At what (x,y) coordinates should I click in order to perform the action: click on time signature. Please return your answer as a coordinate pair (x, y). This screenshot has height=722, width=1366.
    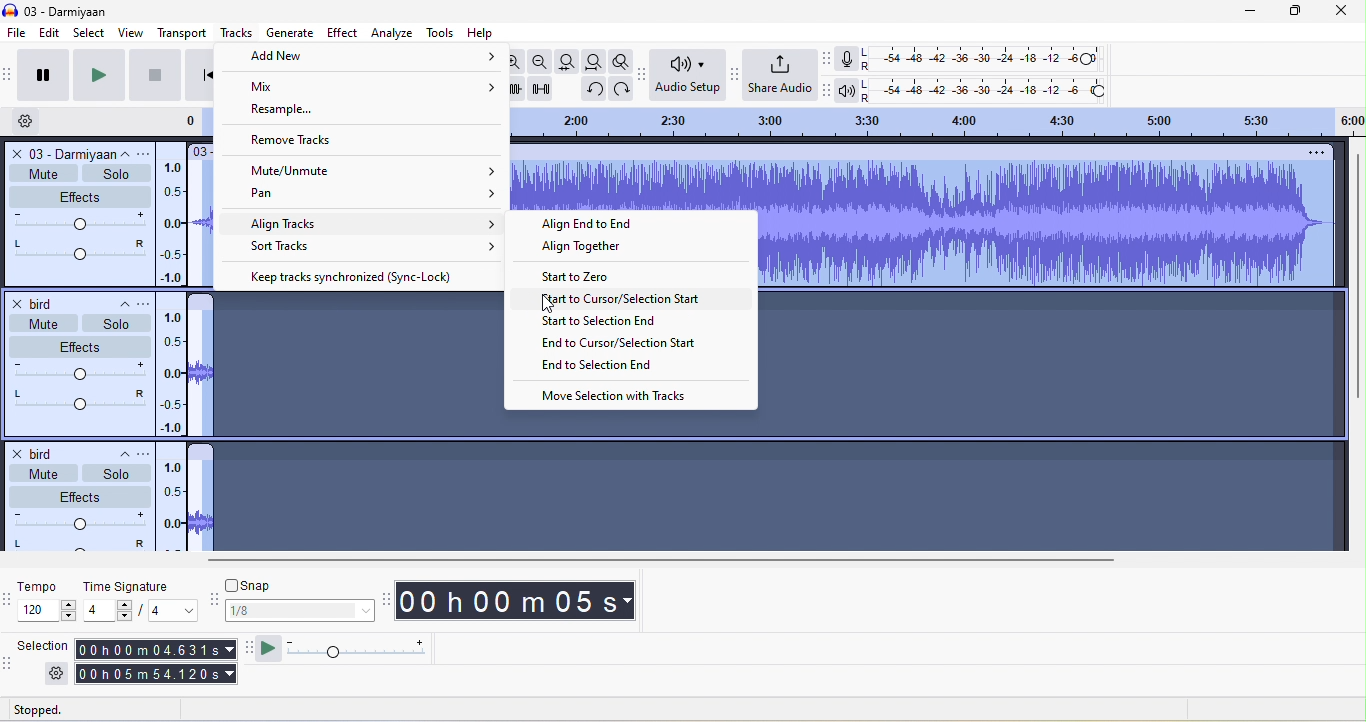
    Looking at the image, I should click on (129, 587).